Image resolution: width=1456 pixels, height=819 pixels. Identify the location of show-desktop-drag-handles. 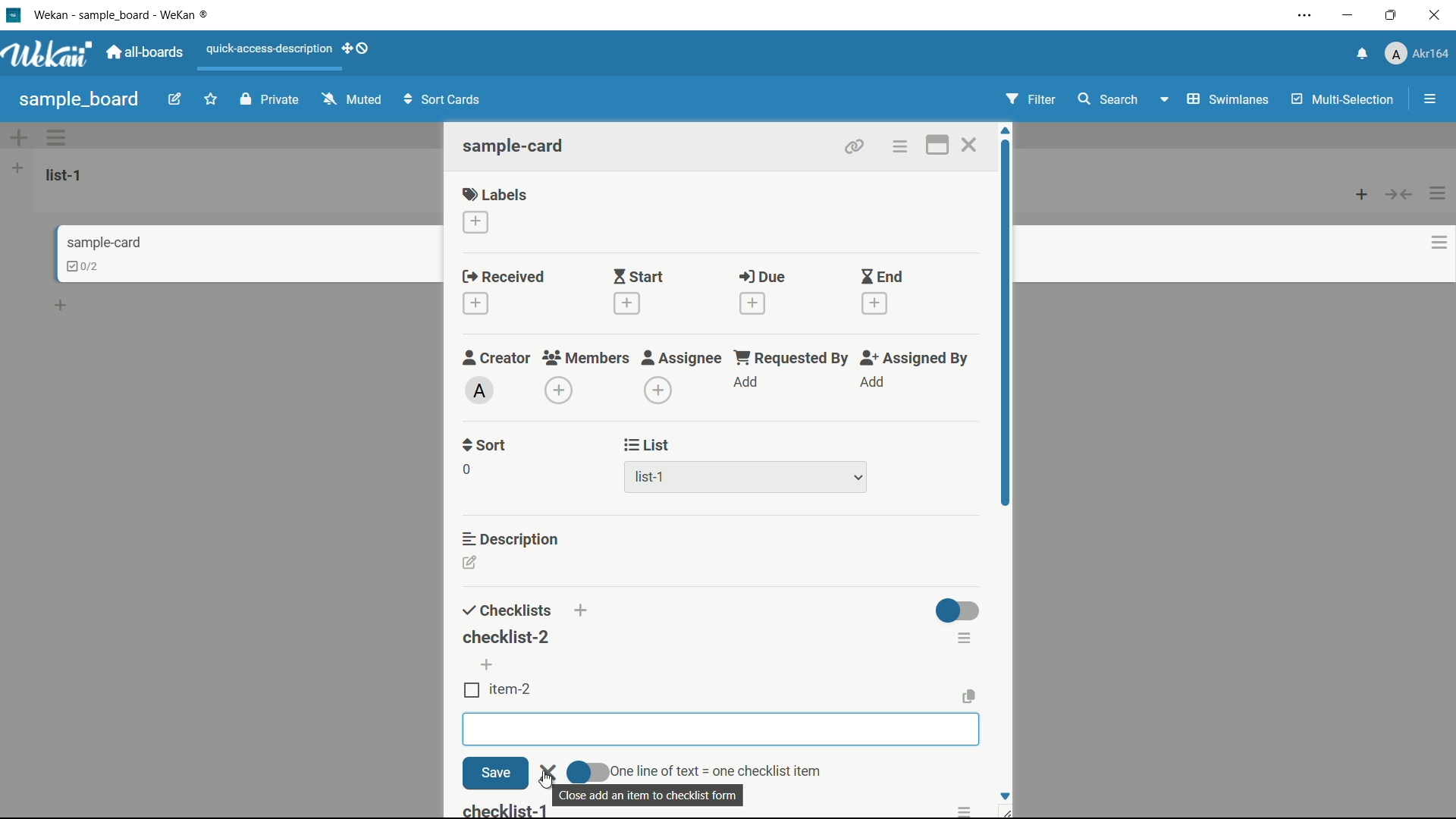
(358, 47).